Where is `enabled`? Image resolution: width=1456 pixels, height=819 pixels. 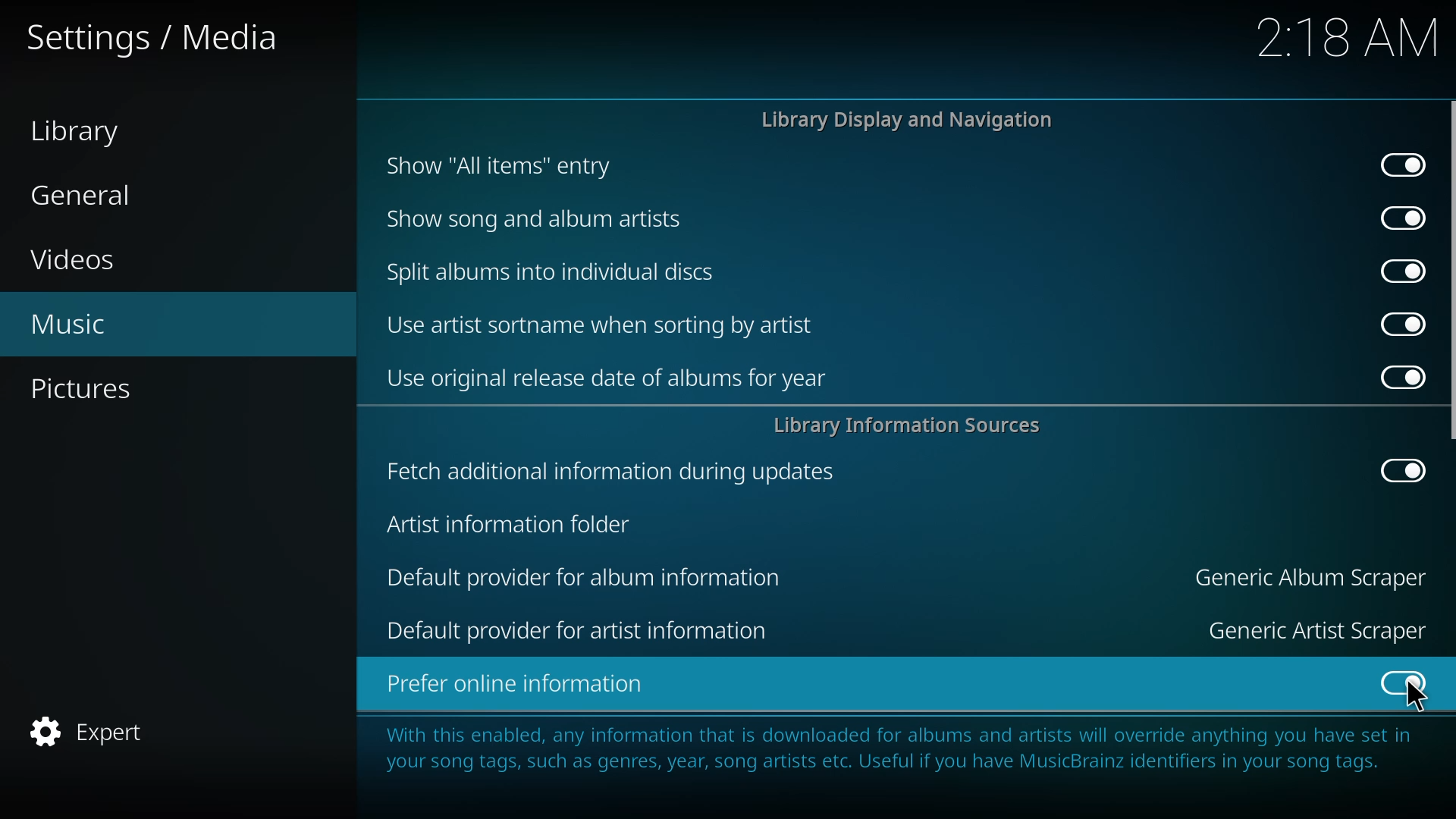
enabled is located at coordinates (1397, 469).